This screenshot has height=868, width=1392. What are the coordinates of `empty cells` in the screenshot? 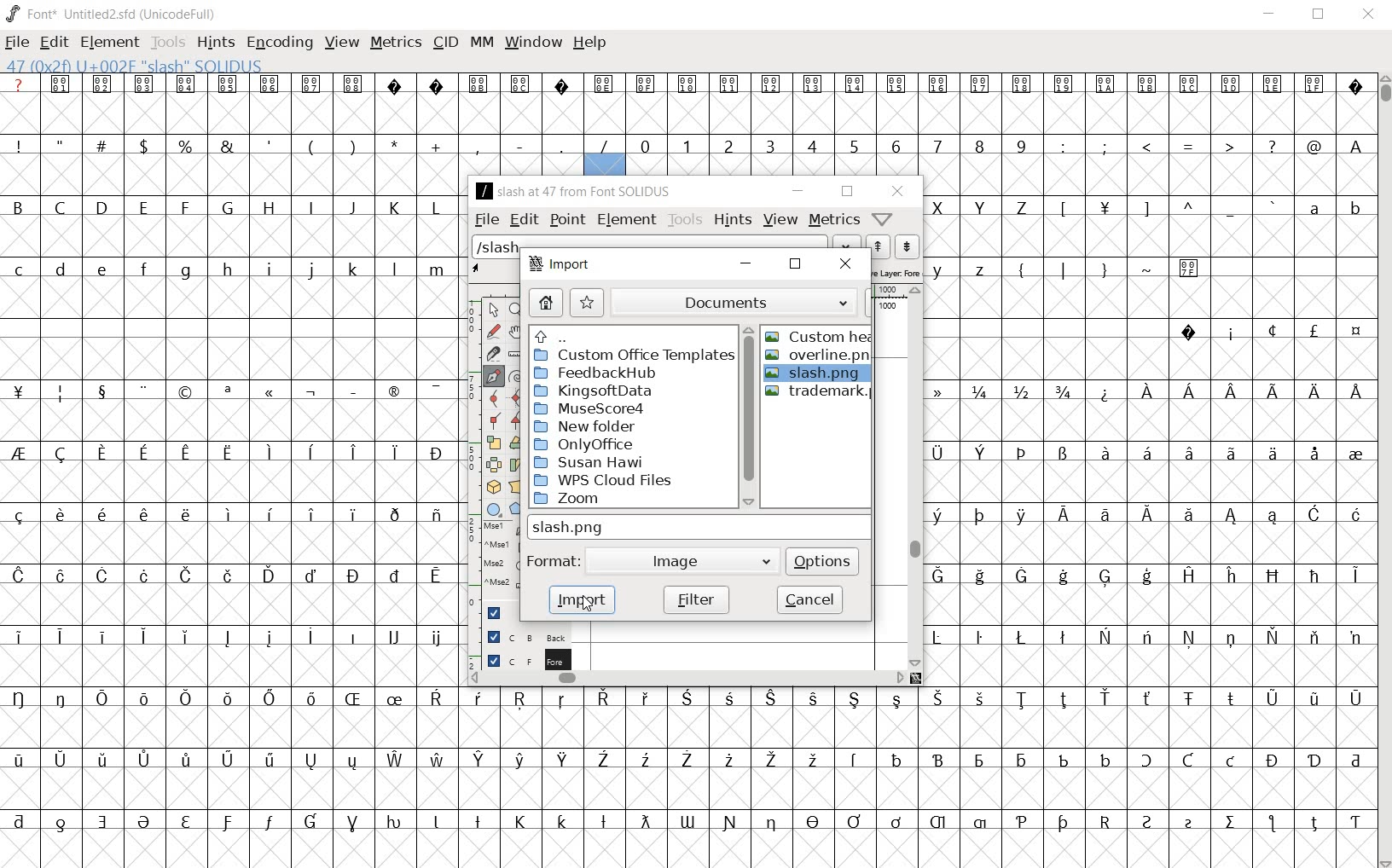 It's located at (1151, 239).